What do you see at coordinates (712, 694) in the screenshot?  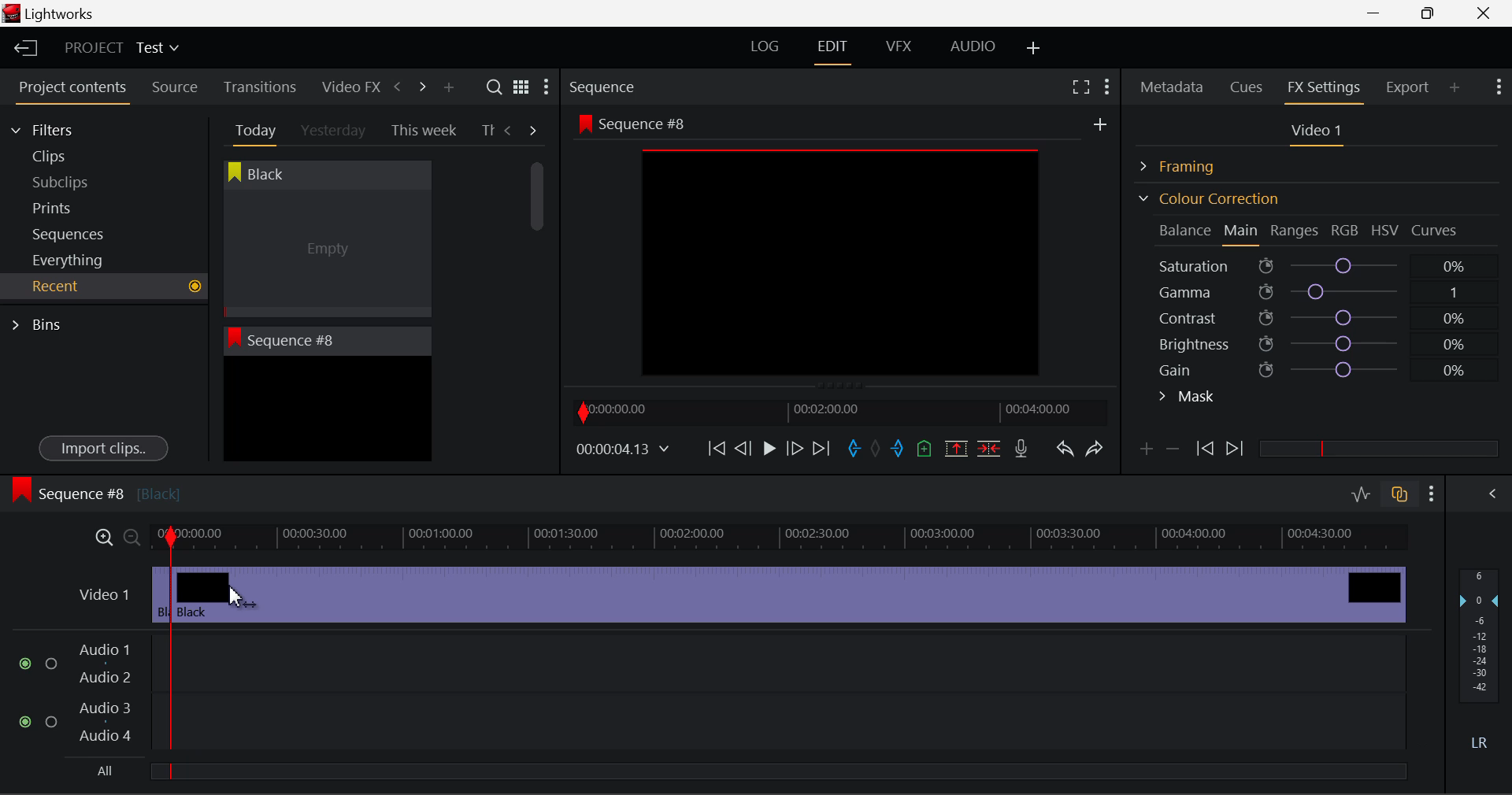 I see `Audio Input Fields` at bounding box center [712, 694].